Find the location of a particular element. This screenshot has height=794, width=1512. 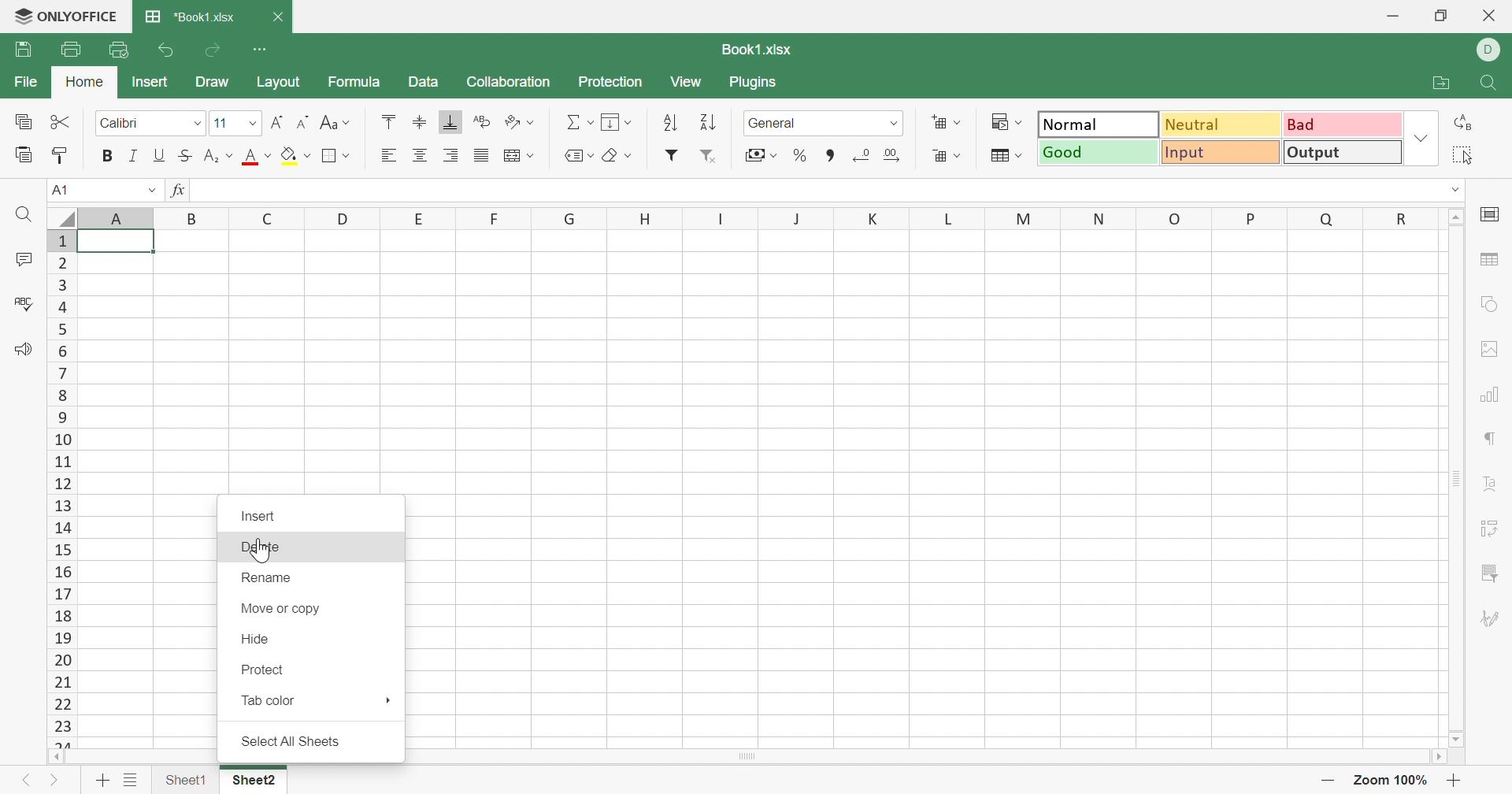

Slide settings is located at coordinates (1489, 212).